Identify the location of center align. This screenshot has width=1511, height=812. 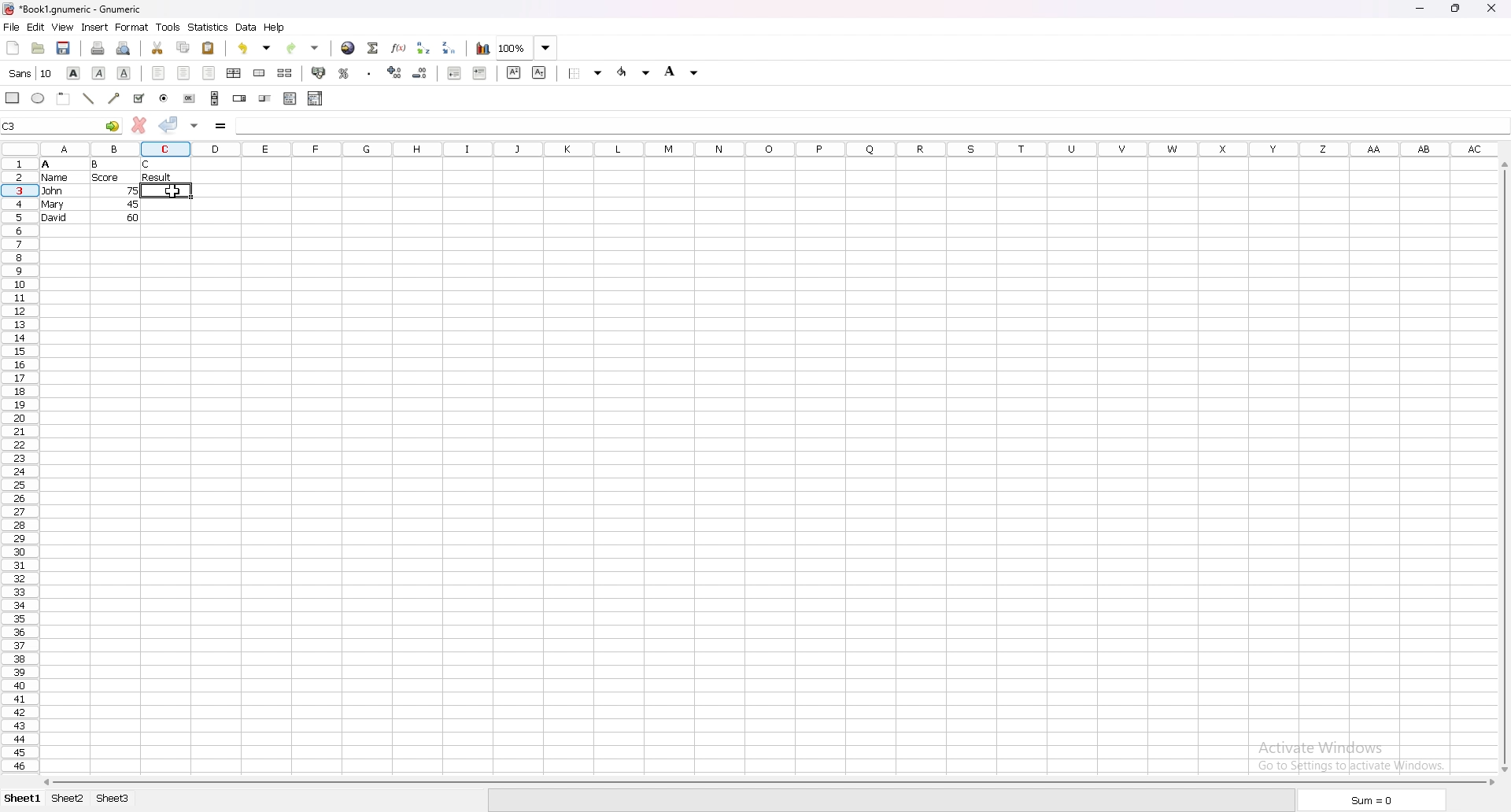
(183, 72).